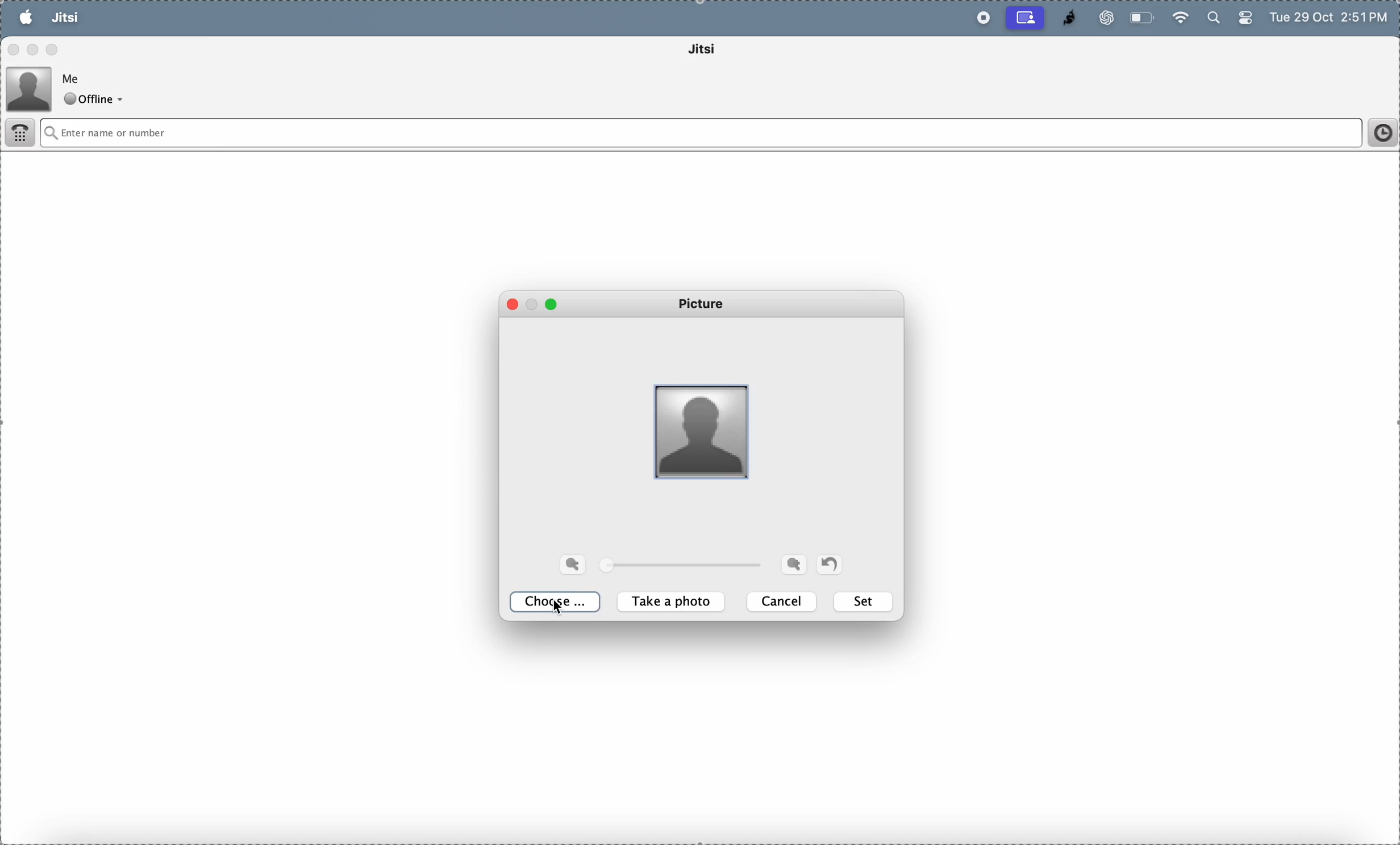 The width and height of the screenshot is (1400, 845). What do you see at coordinates (22, 135) in the screenshot?
I see `dialer` at bounding box center [22, 135].